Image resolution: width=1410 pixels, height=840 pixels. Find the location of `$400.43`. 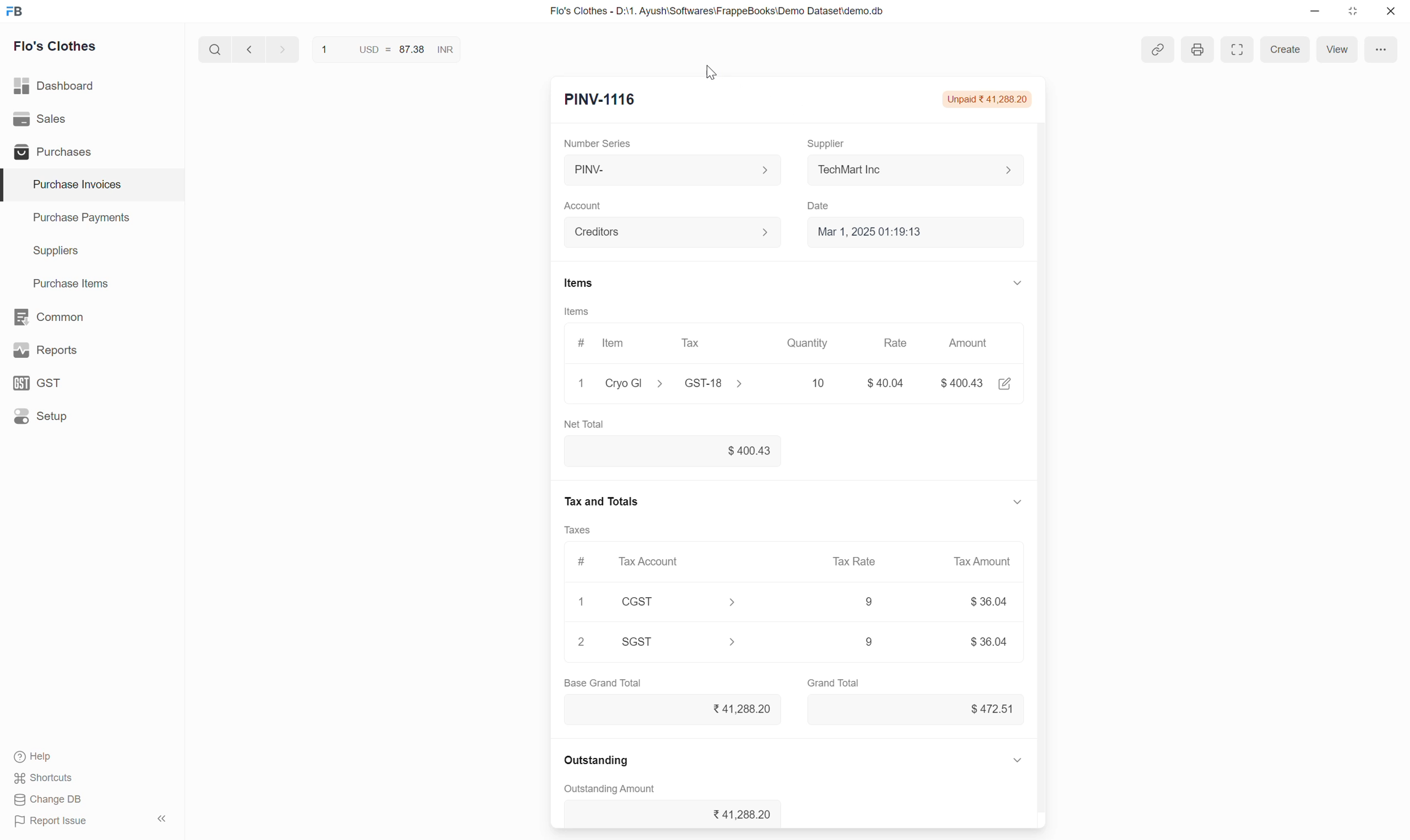

$400.43 is located at coordinates (964, 382).